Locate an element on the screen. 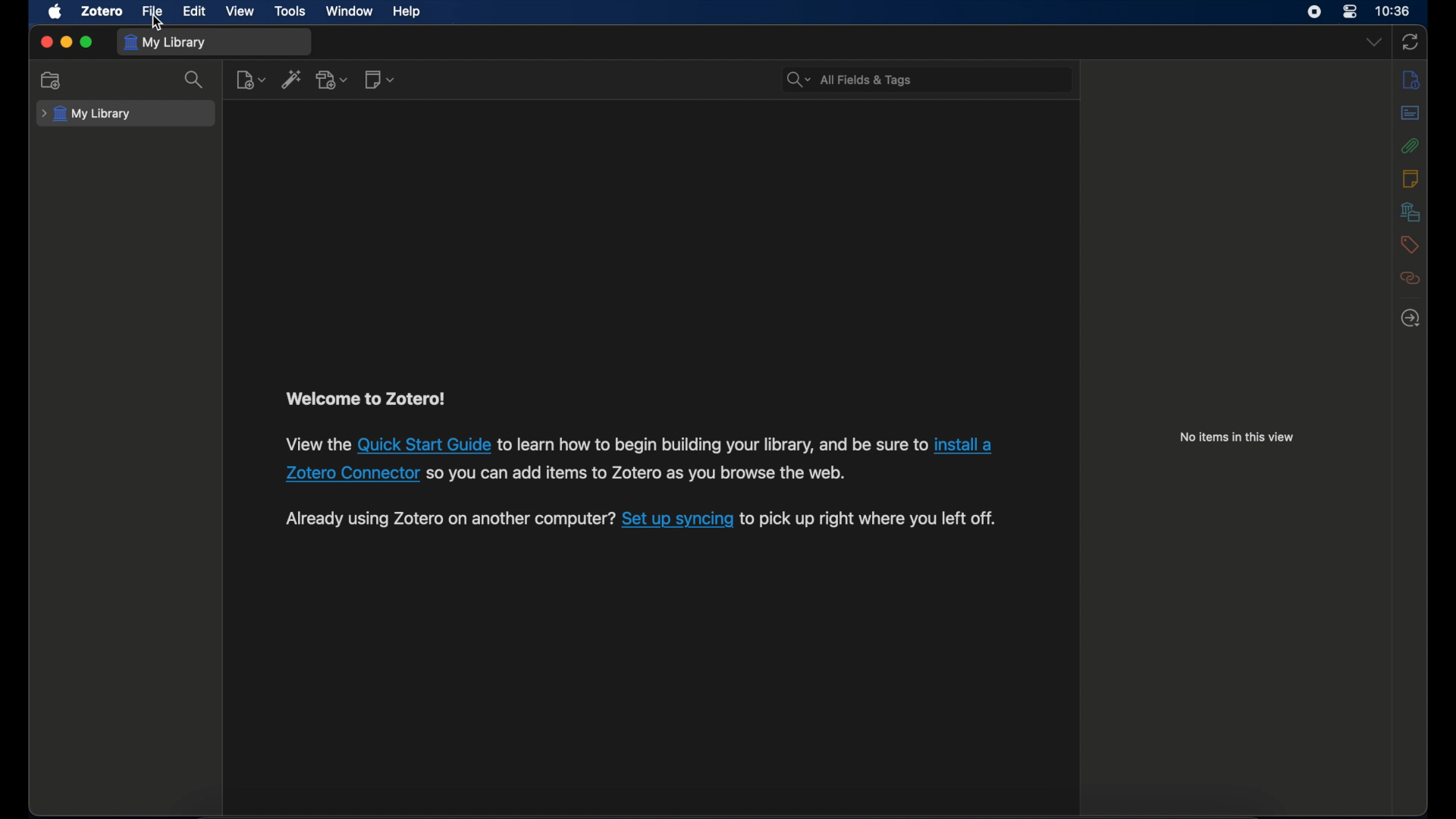 The image size is (1456, 819). tags is located at coordinates (1410, 245).